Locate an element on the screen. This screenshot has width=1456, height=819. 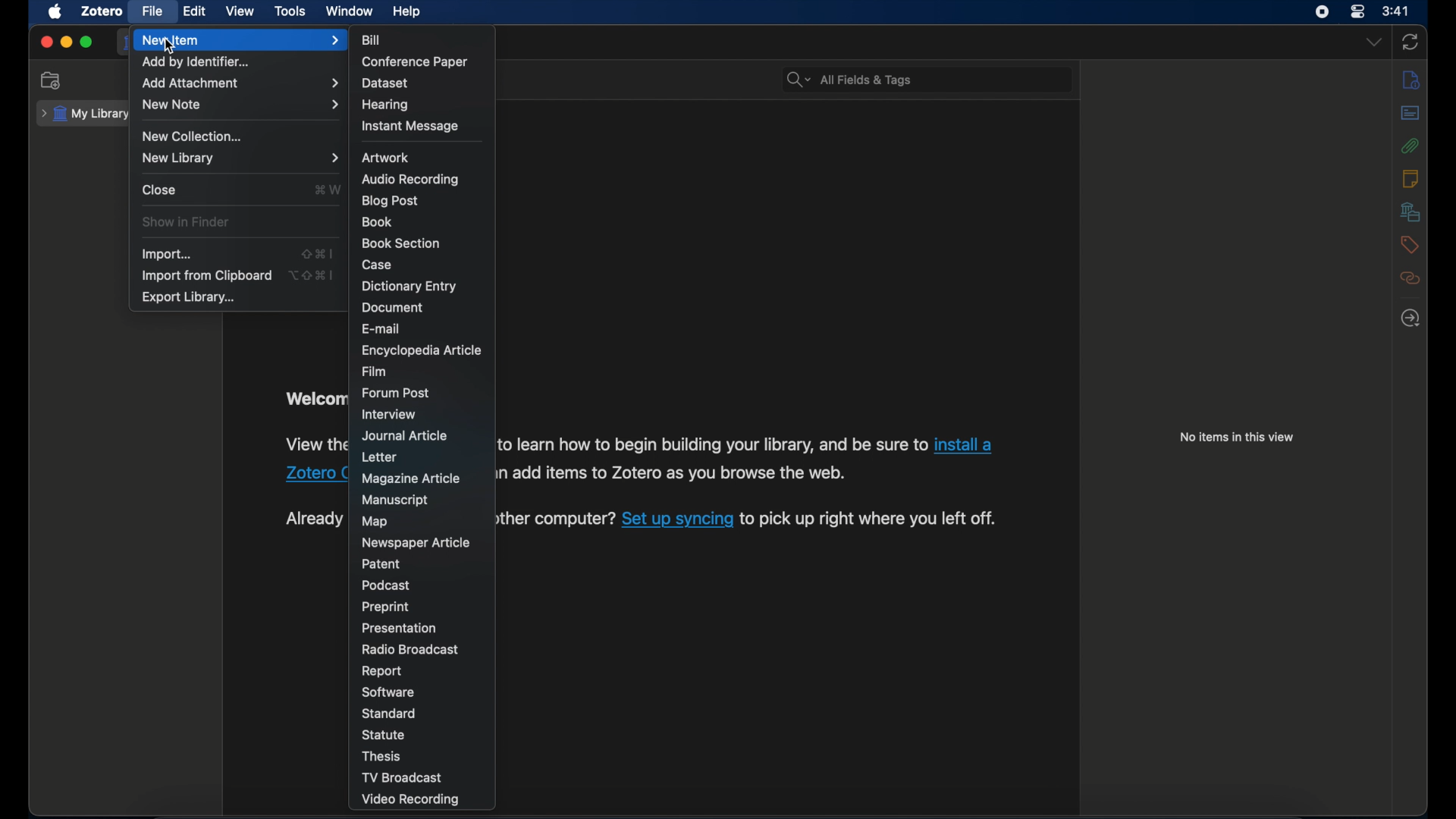
libraries is located at coordinates (1411, 212).